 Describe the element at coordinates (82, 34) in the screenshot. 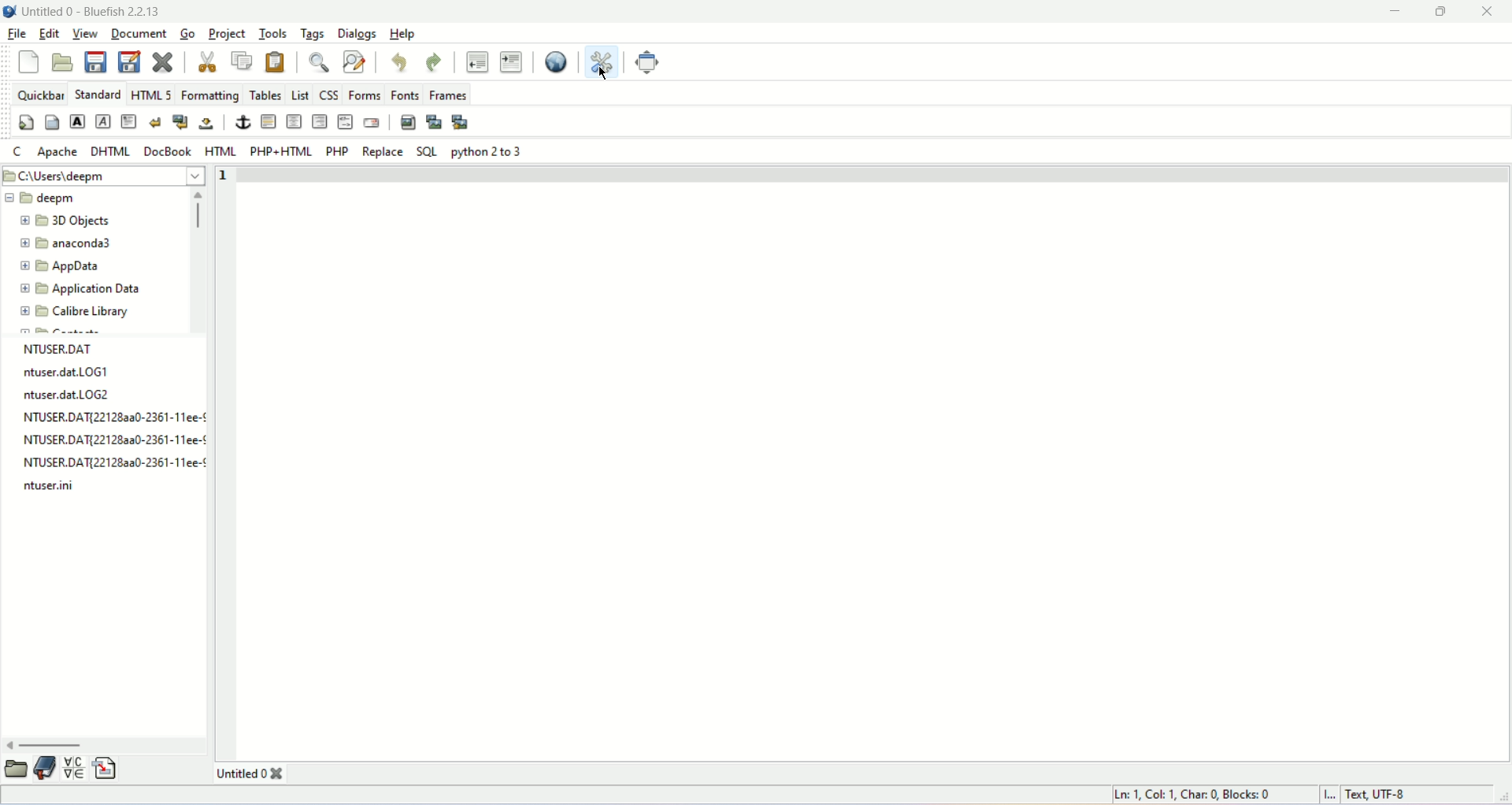

I see `view` at that location.